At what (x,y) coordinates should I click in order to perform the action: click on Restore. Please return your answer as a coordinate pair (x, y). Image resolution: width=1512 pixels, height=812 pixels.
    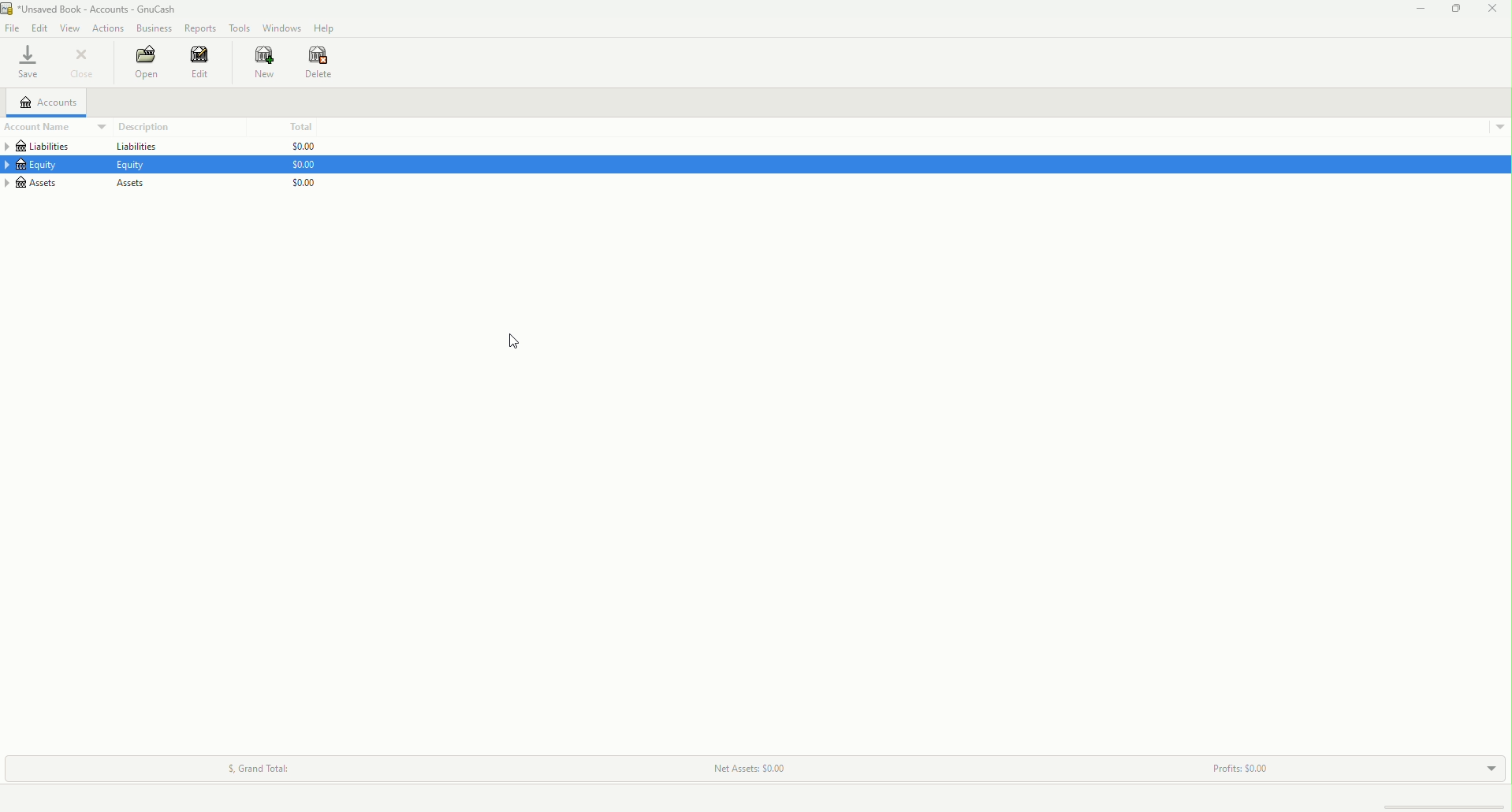
    Looking at the image, I should click on (1455, 12).